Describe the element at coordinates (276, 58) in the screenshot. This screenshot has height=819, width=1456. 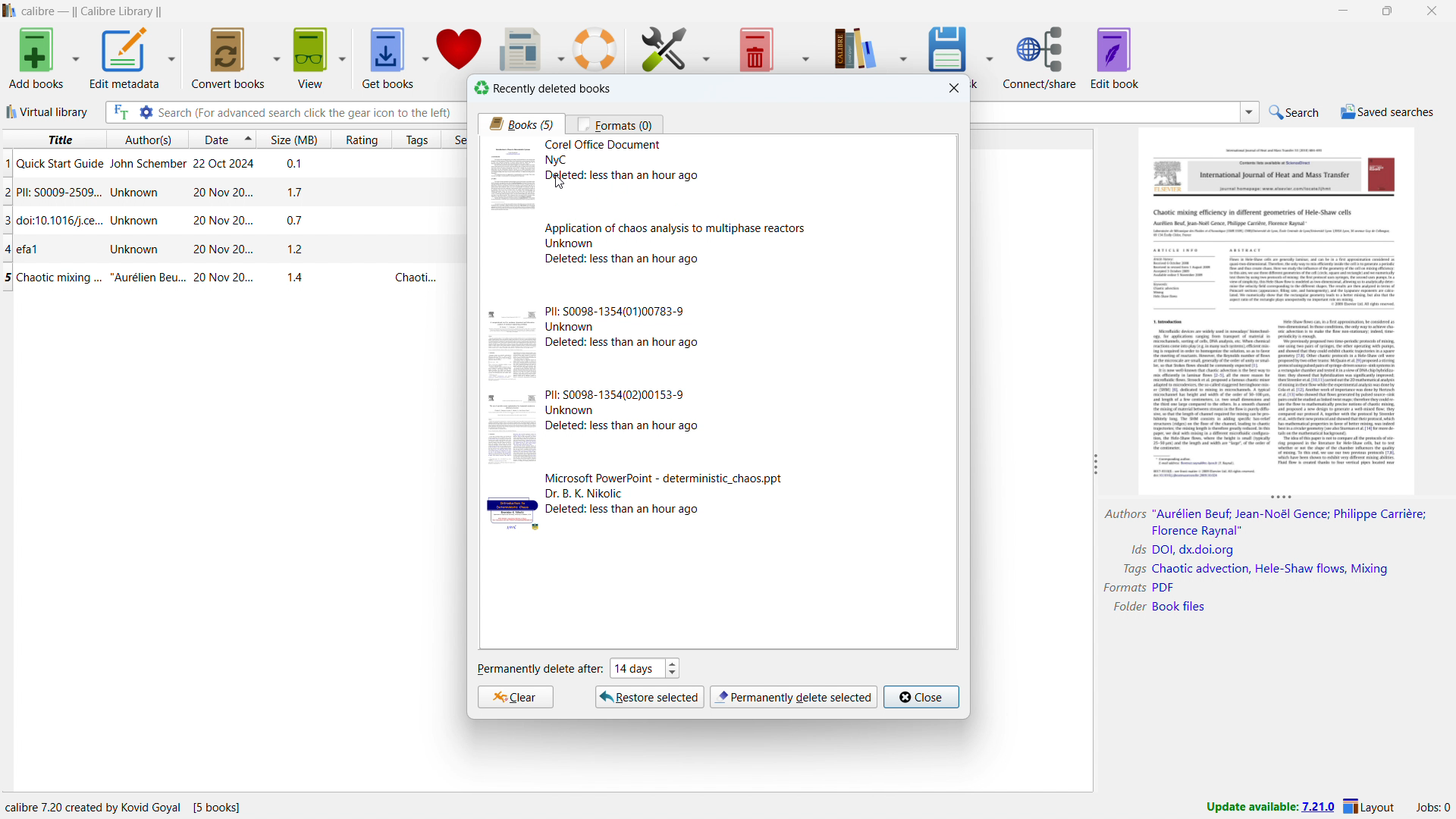
I see `convert books options` at that location.